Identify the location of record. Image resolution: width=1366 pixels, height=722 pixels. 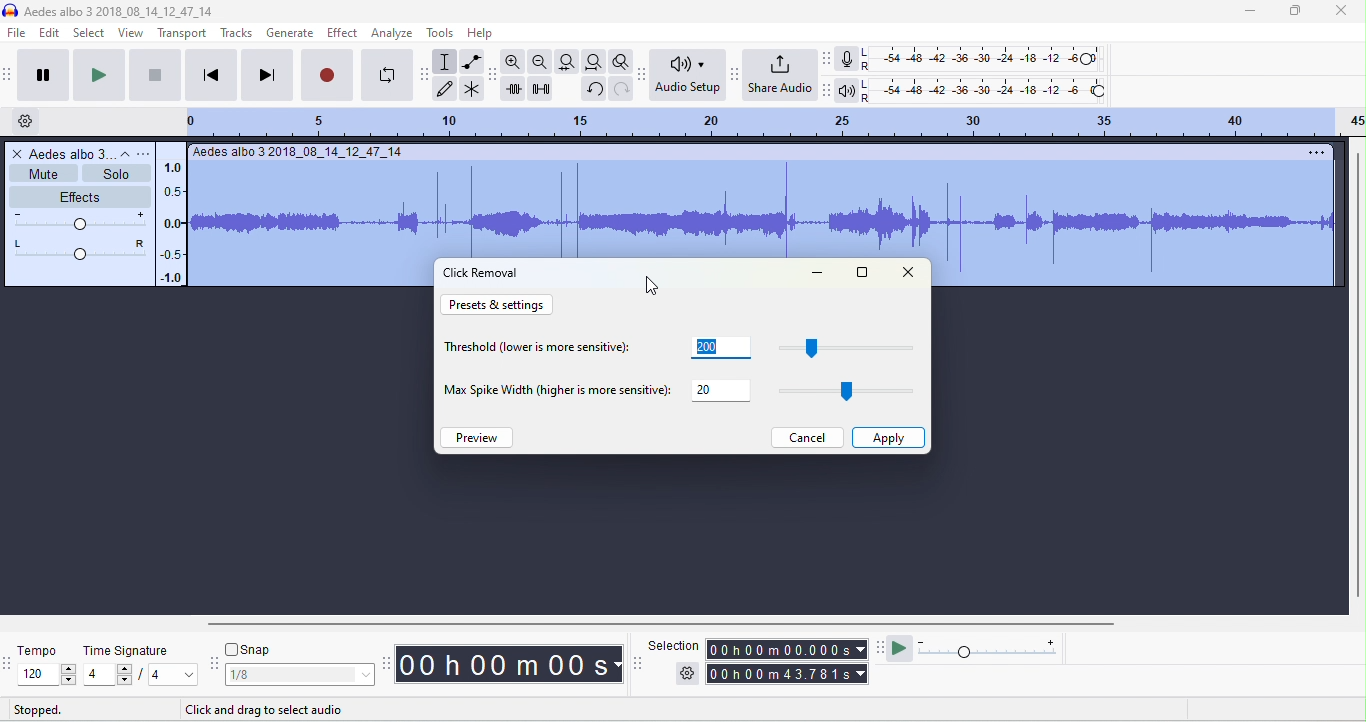
(327, 74).